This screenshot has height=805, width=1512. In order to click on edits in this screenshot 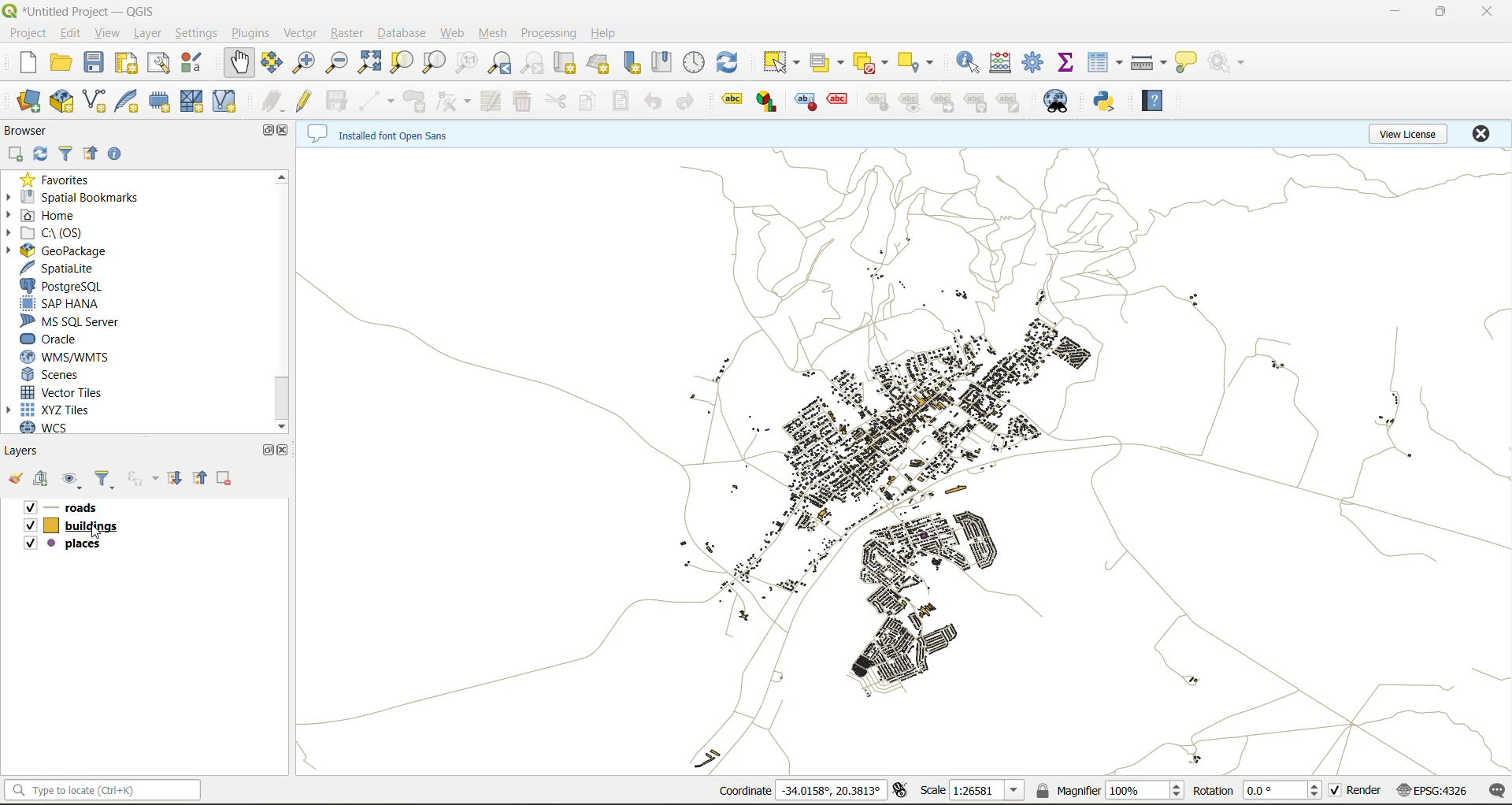, I will do `click(272, 101)`.